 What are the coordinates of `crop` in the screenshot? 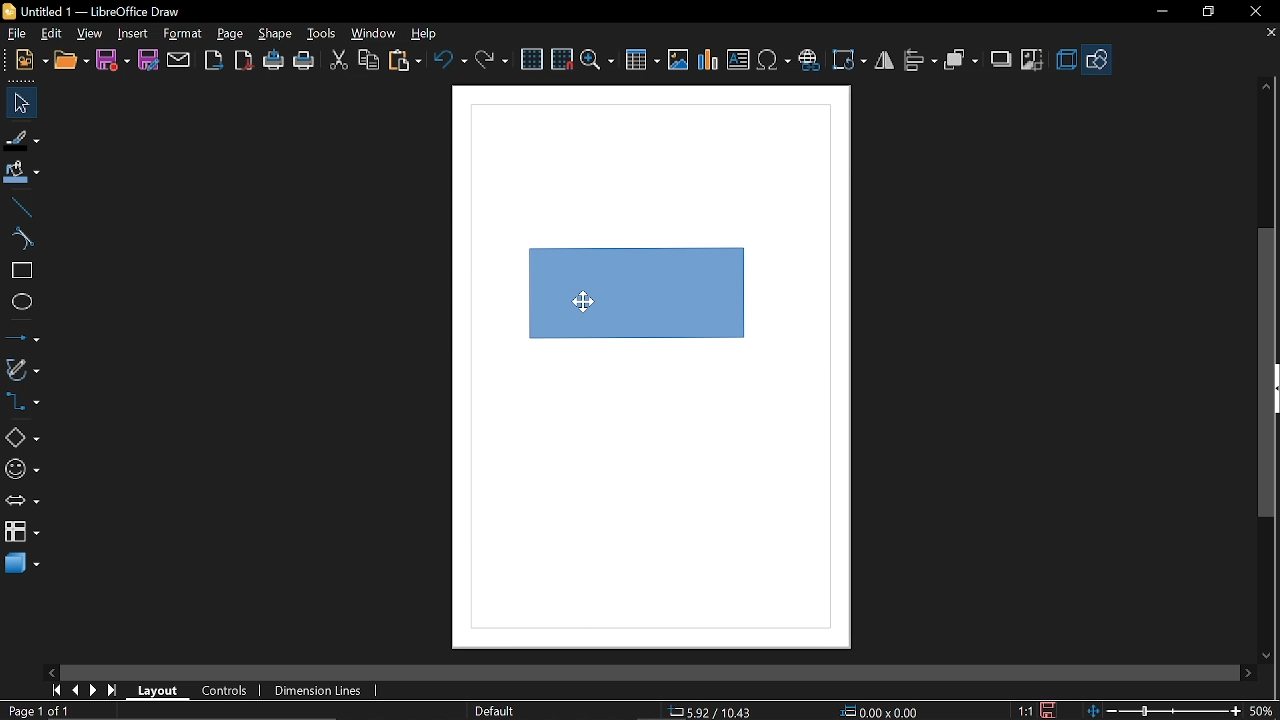 It's located at (1033, 58).